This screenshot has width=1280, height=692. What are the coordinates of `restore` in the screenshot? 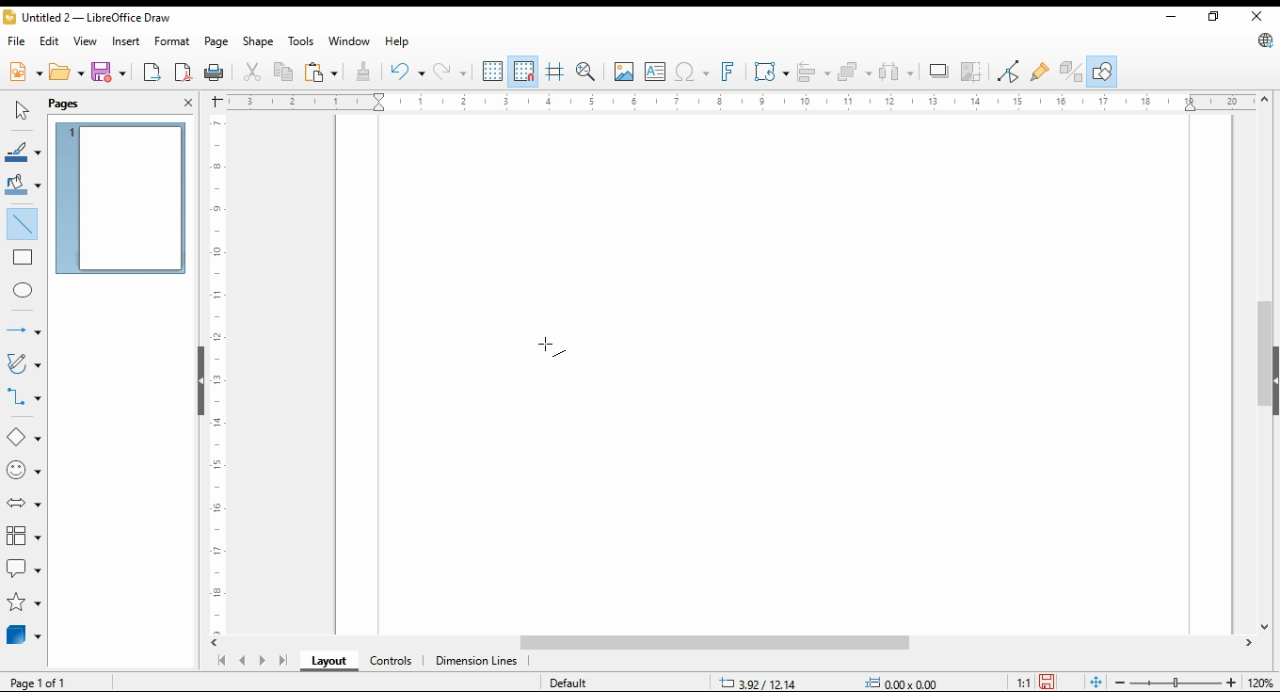 It's located at (1217, 17).